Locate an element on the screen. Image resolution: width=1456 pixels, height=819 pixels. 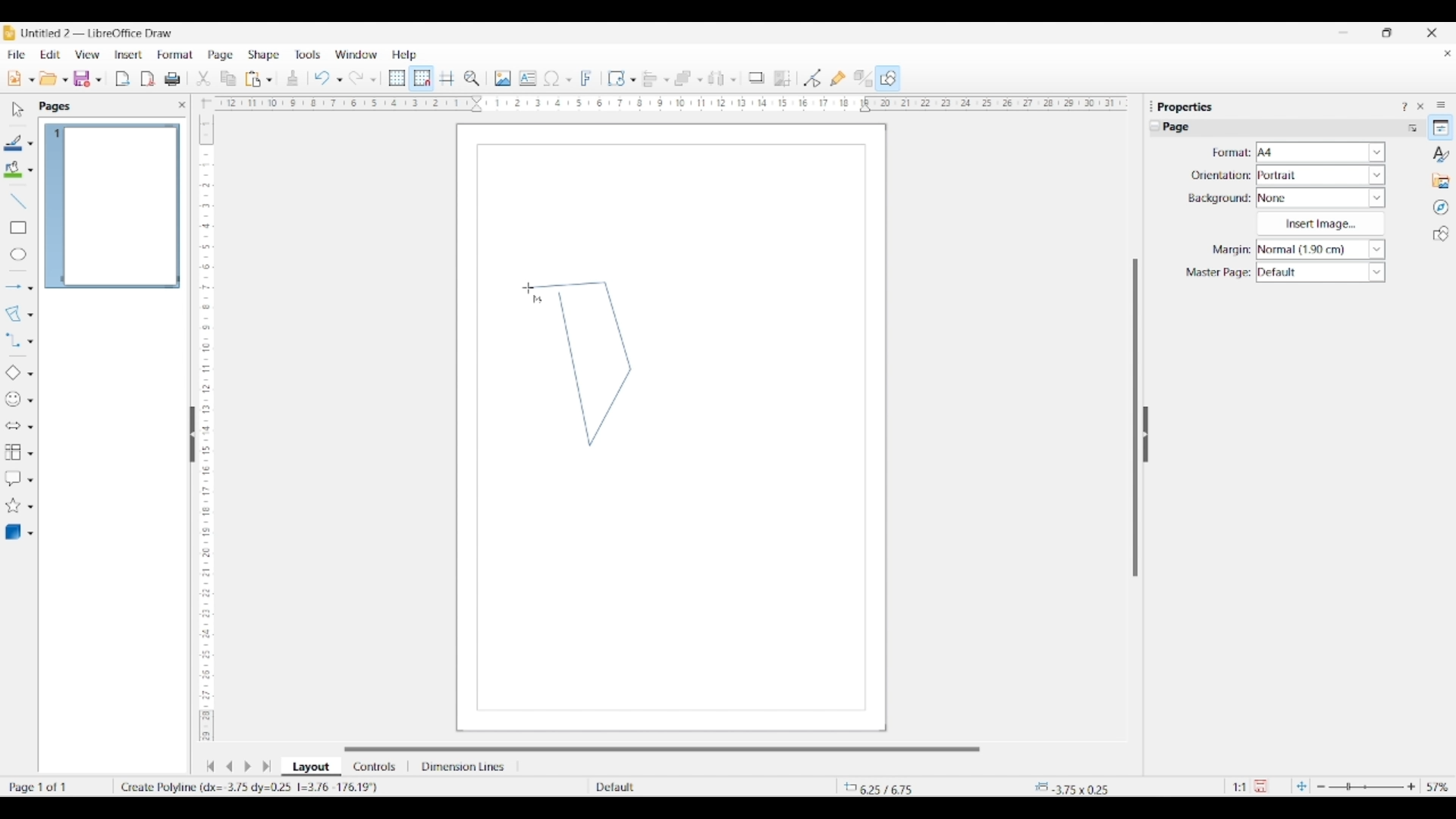
Jump to first slide is located at coordinates (210, 766).